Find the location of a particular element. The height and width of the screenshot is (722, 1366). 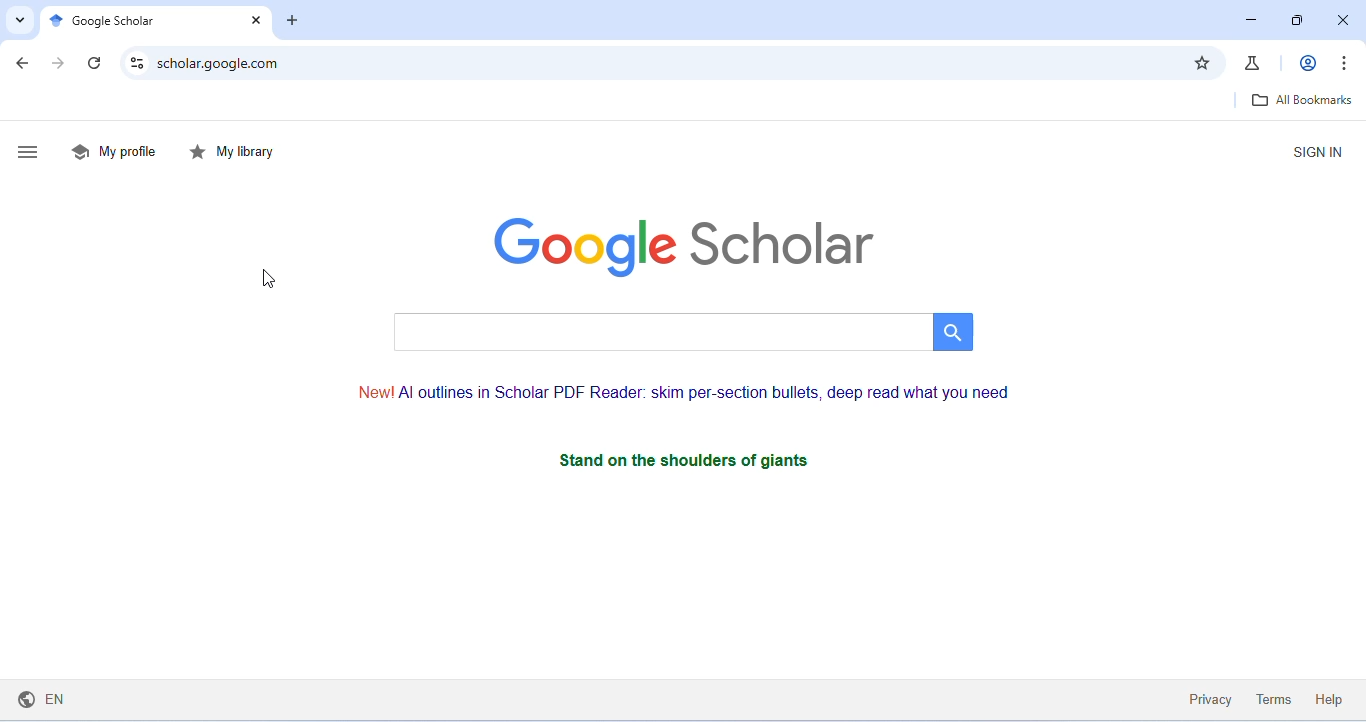

all bookmarks is located at coordinates (1298, 100).